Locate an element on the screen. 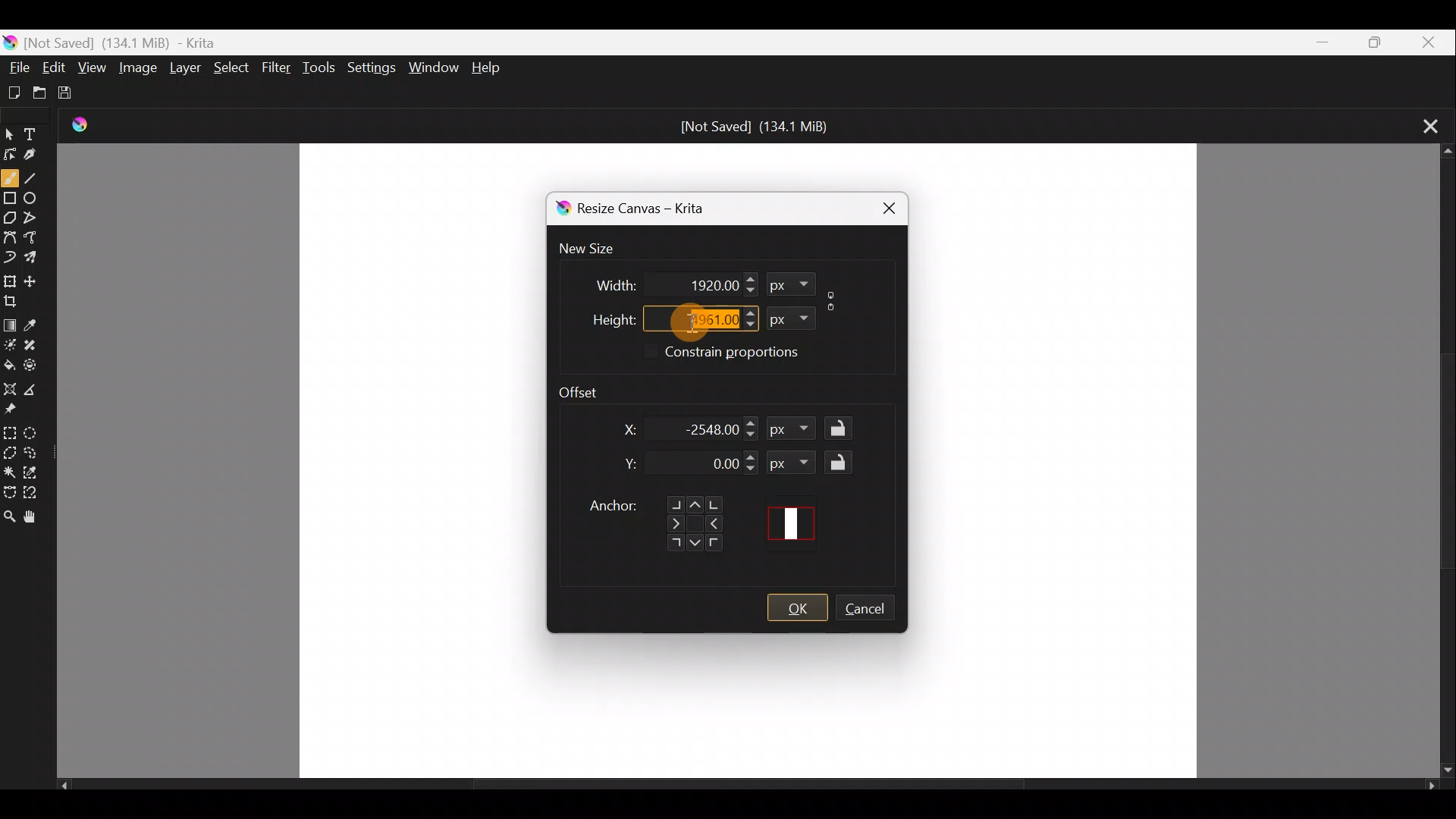 The height and width of the screenshot is (819, 1456). Increase height is located at coordinates (748, 312).